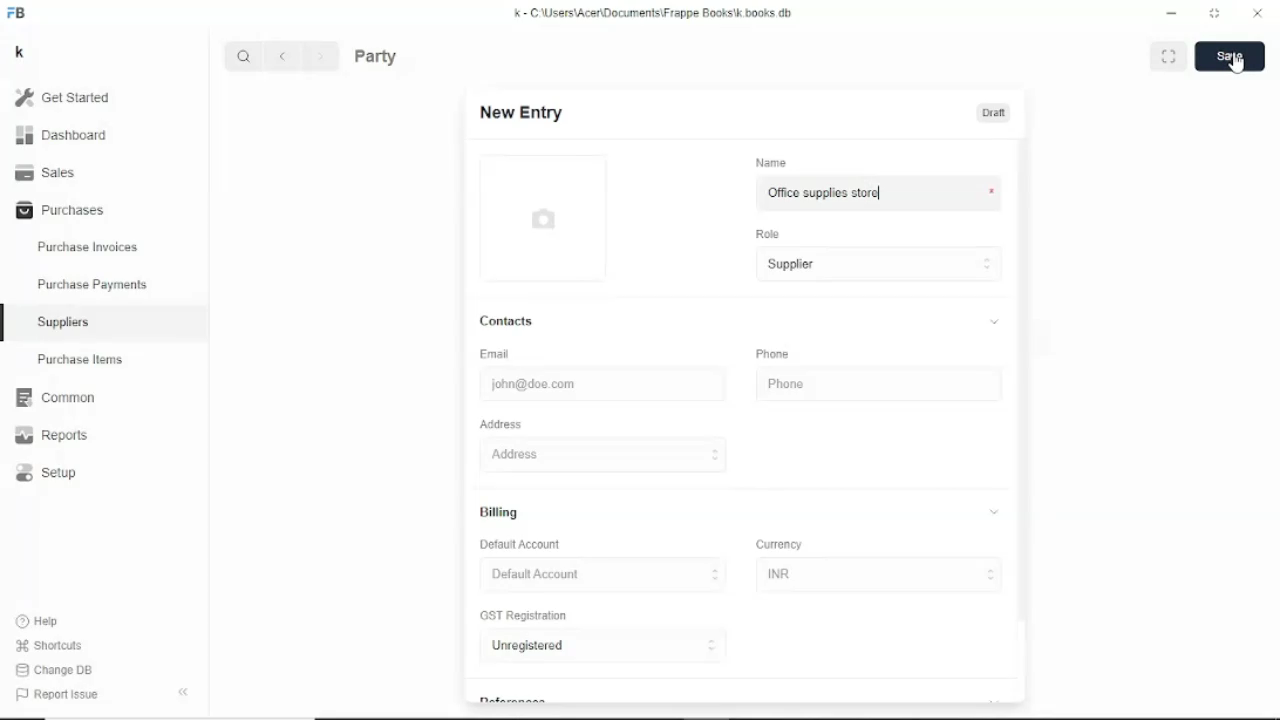 This screenshot has height=720, width=1280. Describe the element at coordinates (79, 359) in the screenshot. I see `Purchase items` at that location.